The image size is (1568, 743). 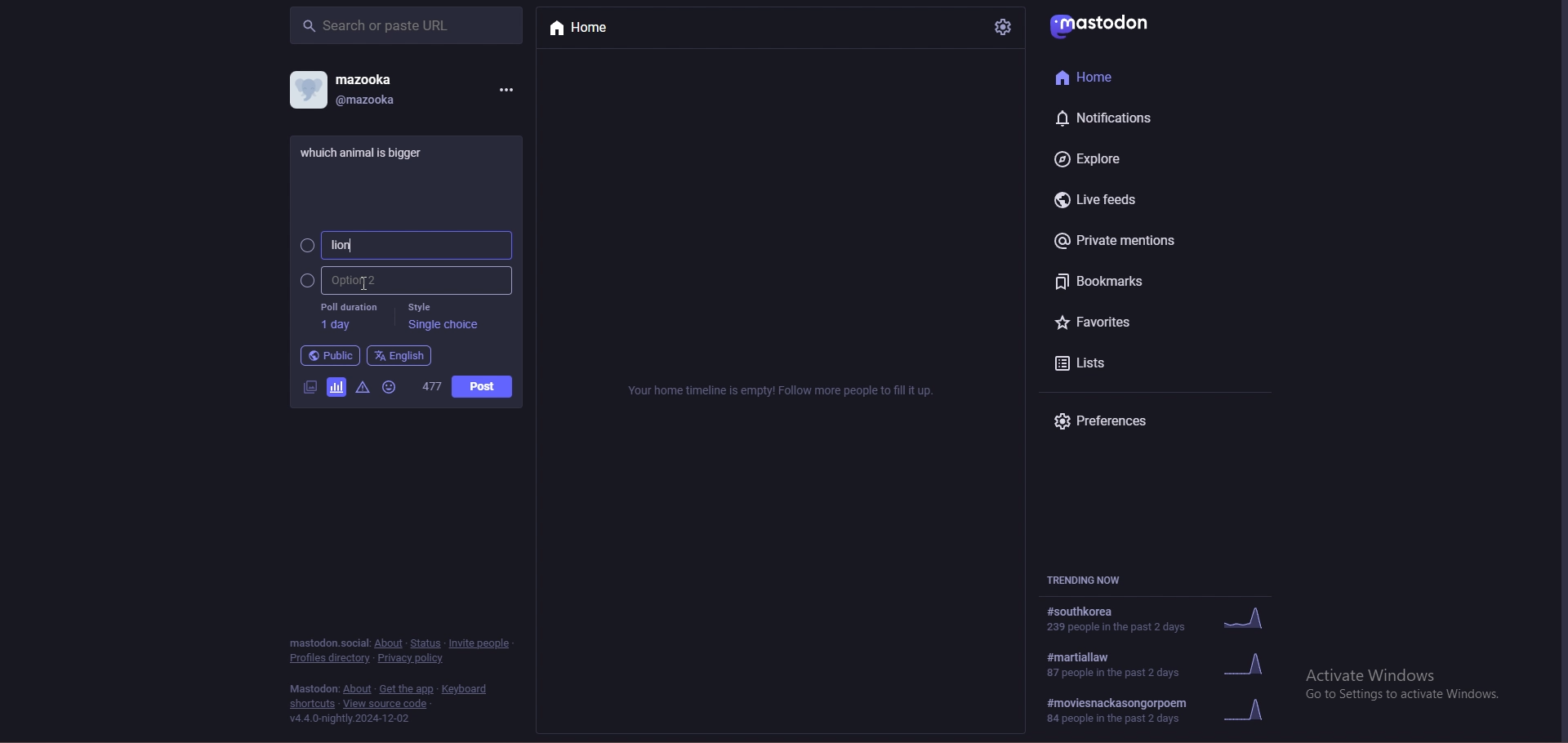 I want to click on image, so click(x=308, y=388).